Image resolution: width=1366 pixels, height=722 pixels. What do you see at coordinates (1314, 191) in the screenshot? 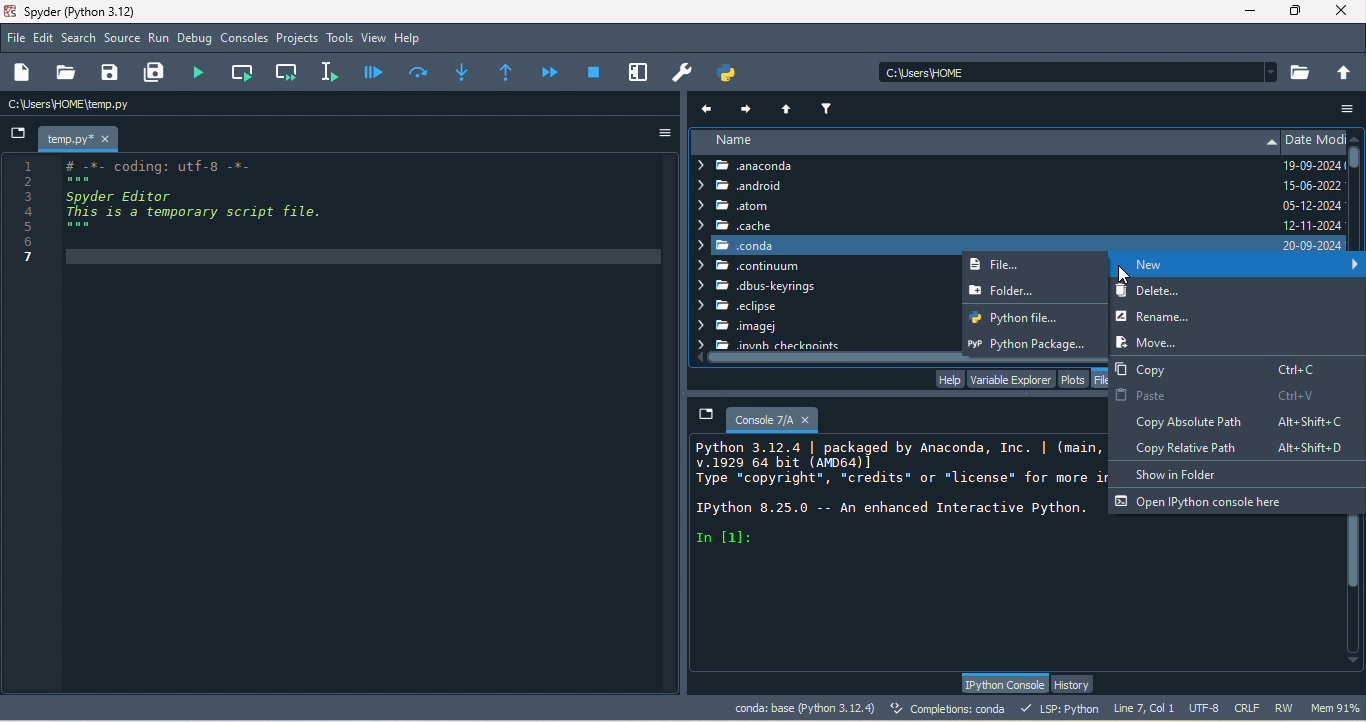
I see `date modified` at bounding box center [1314, 191].